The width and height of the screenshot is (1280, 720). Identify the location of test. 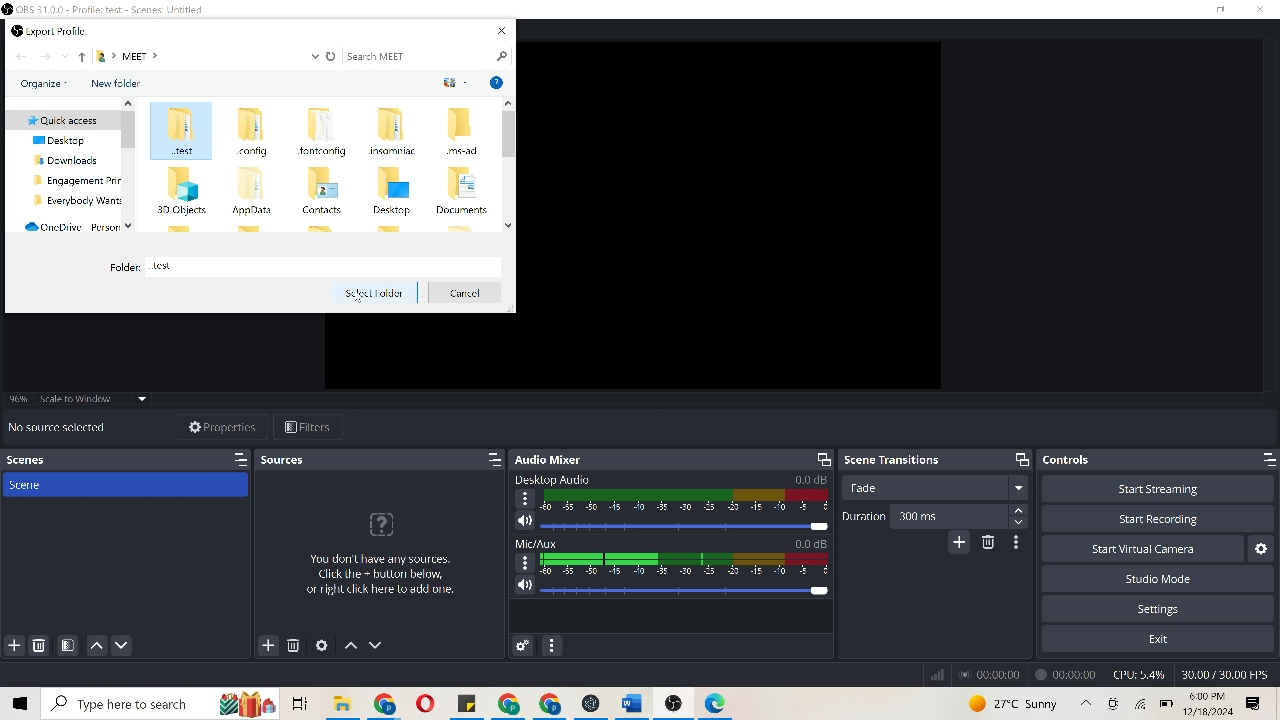
(178, 134).